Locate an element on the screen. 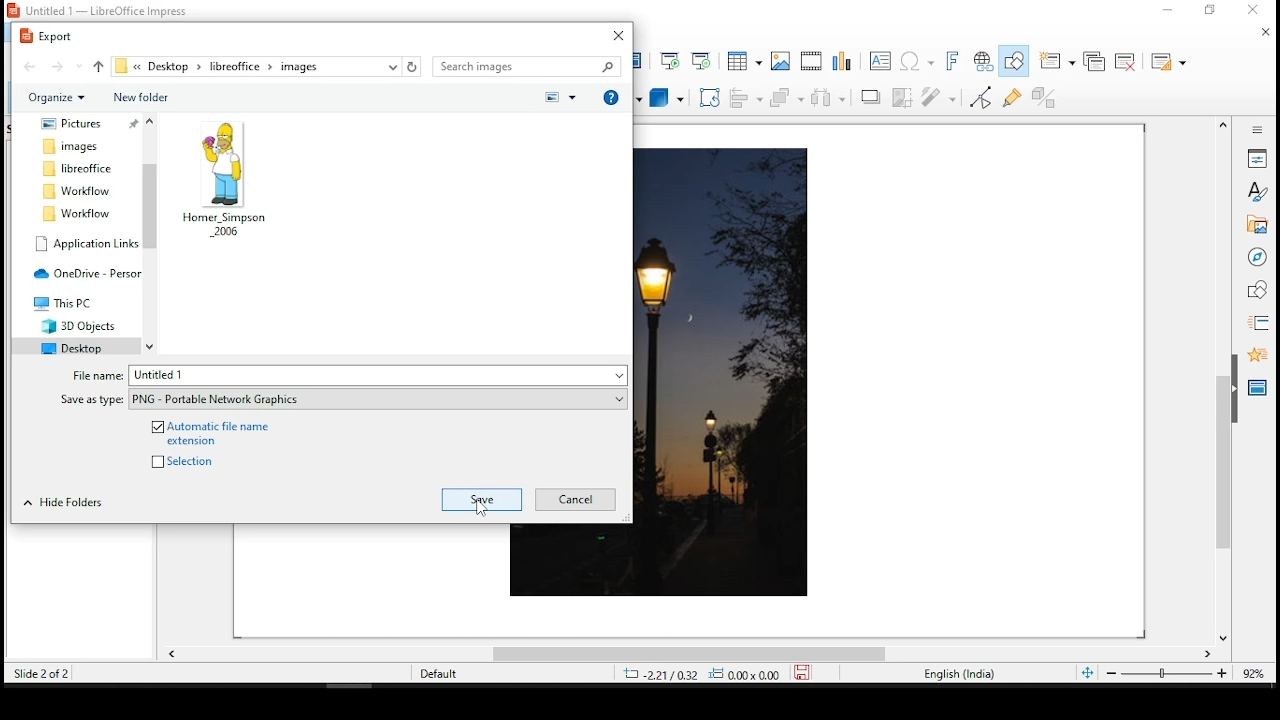  slide transition is located at coordinates (1261, 324).